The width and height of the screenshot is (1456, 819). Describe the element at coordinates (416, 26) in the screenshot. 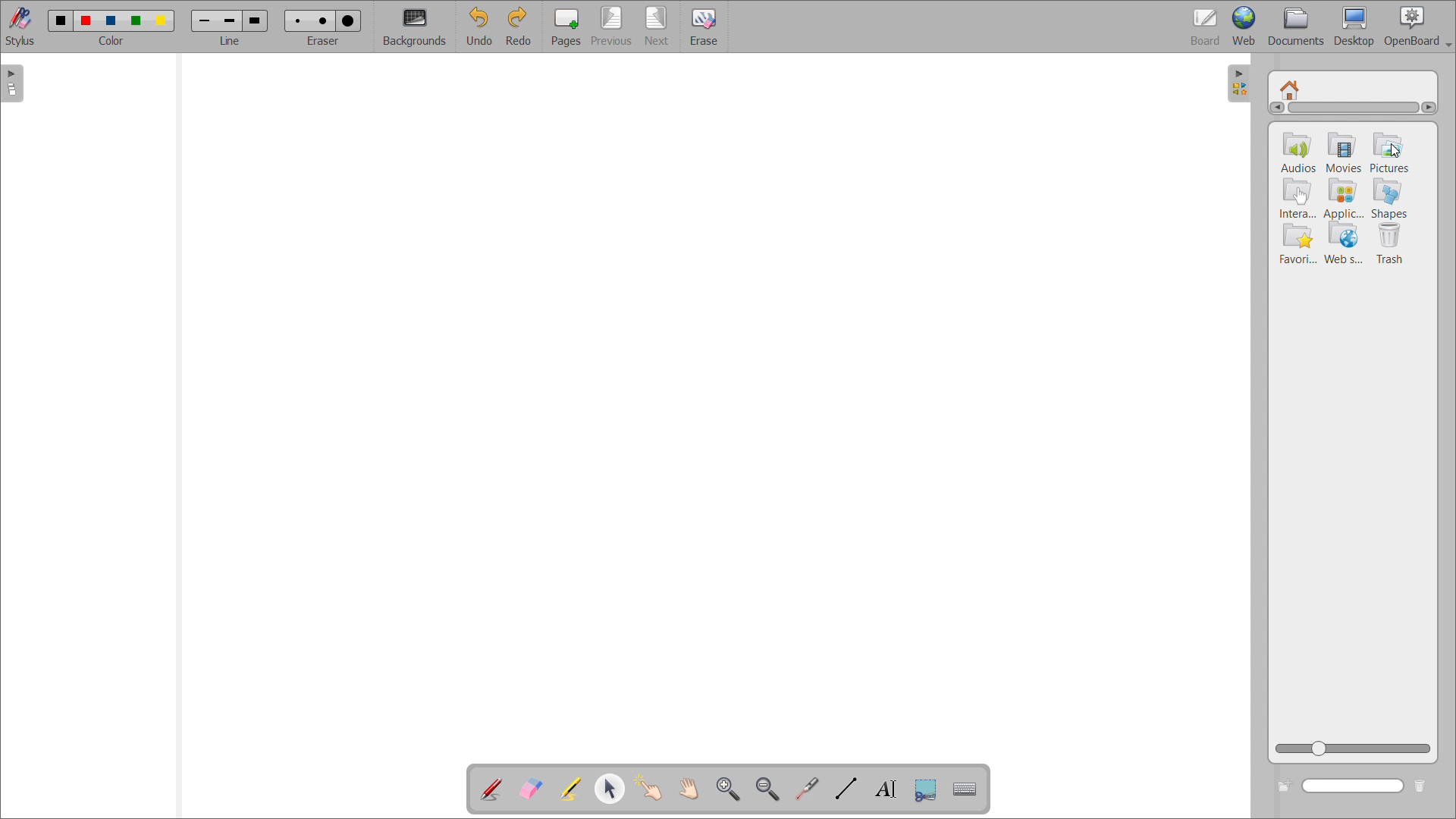

I see `backgrounds` at that location.